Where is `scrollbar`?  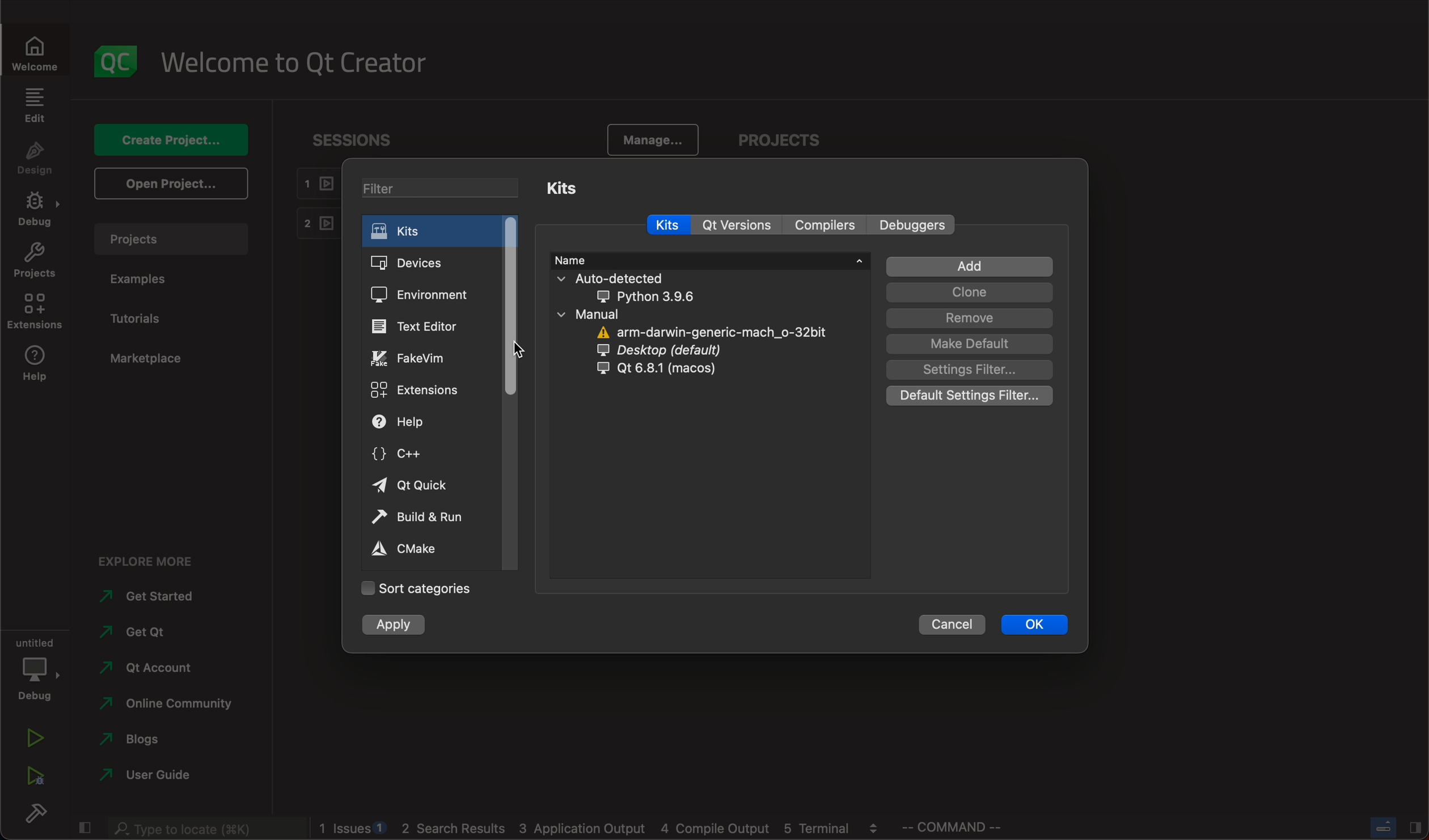 scrollbar is located at coordinates (511, 394).